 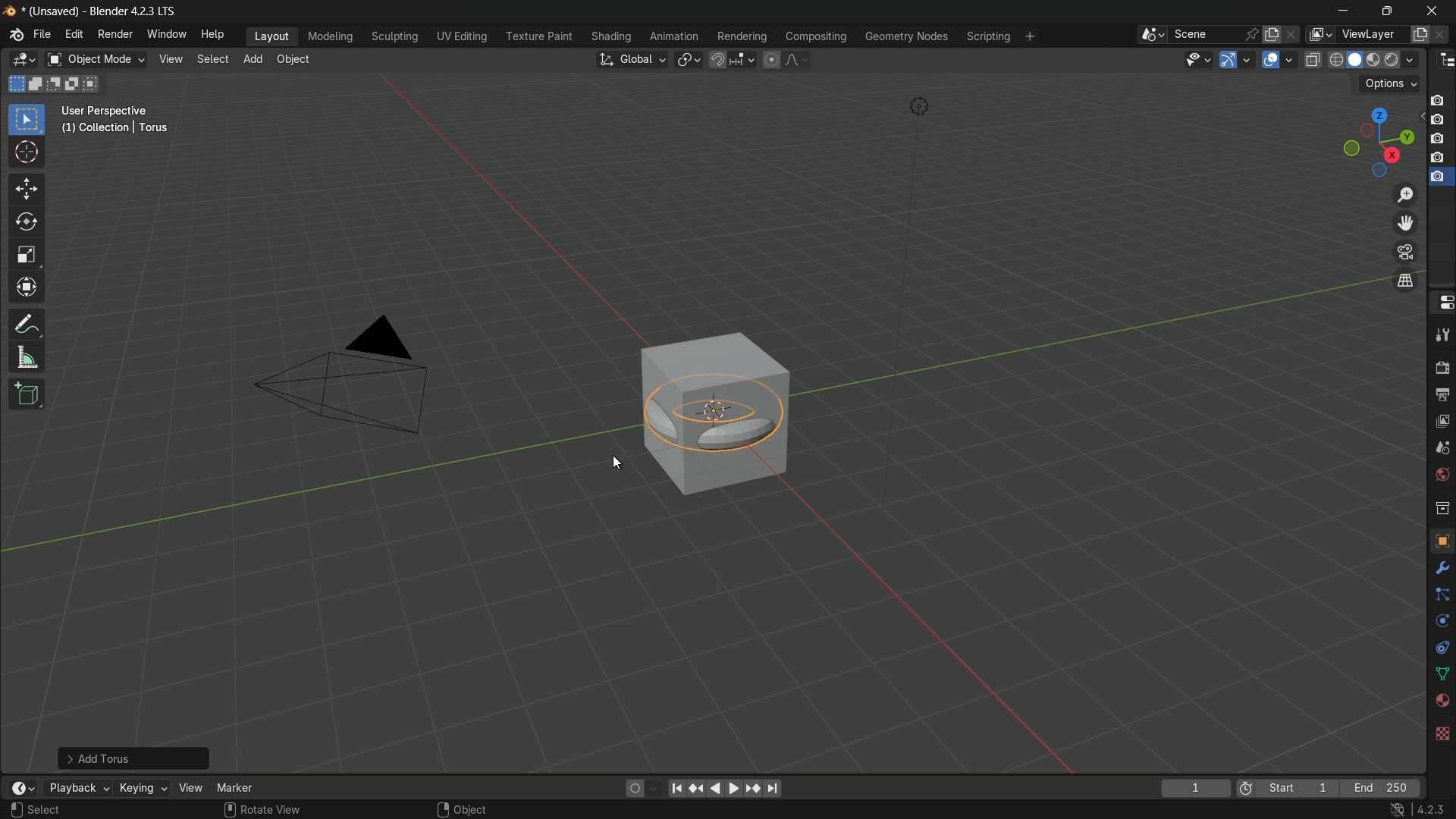 What do you see at coordinates (11, 11) in the screenshot?
I see `logo` at bounding box center [11, 11].